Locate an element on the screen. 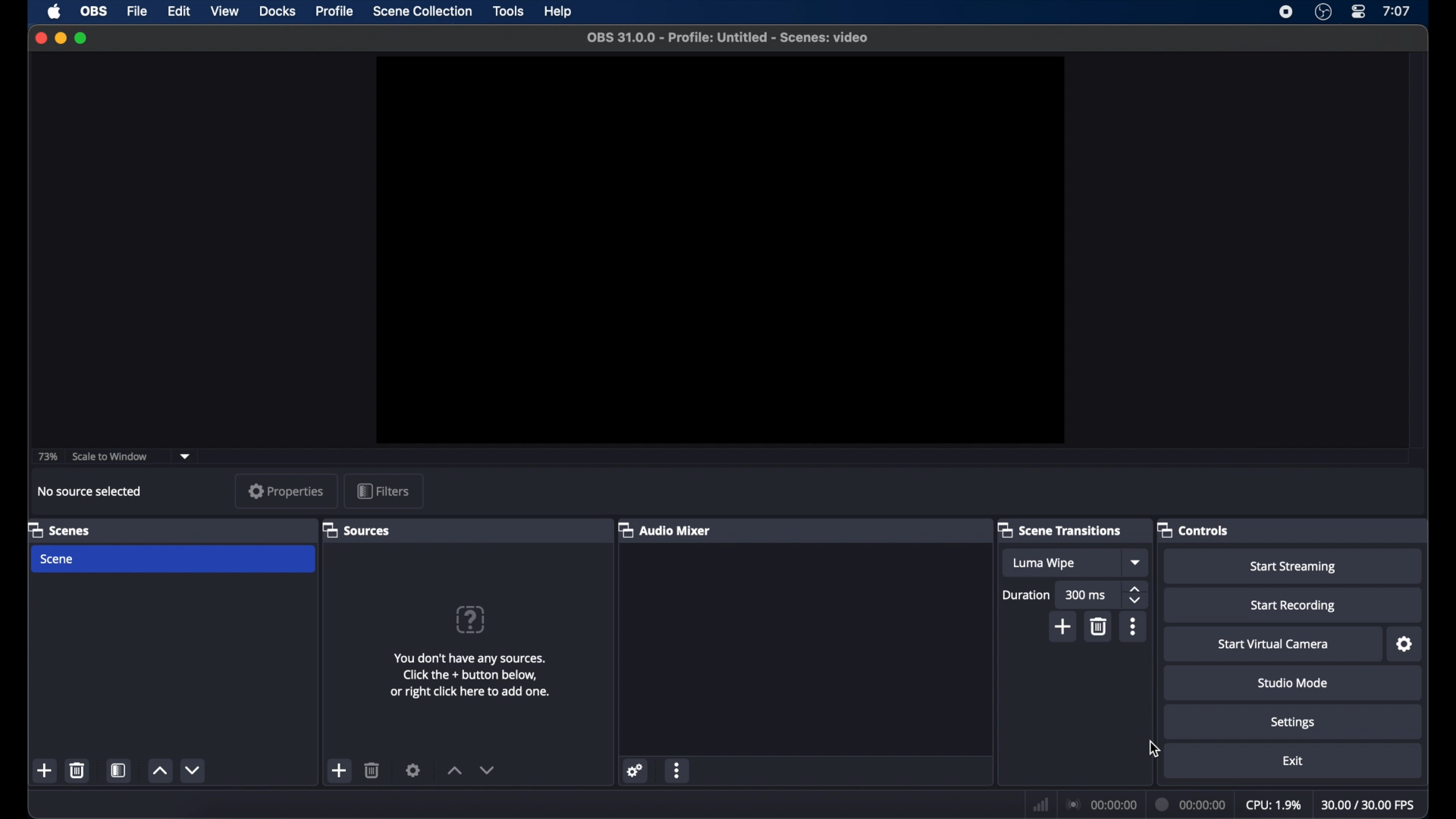 This screenshot has height=819, width=1456. preview is located at coordinates (720, 250).